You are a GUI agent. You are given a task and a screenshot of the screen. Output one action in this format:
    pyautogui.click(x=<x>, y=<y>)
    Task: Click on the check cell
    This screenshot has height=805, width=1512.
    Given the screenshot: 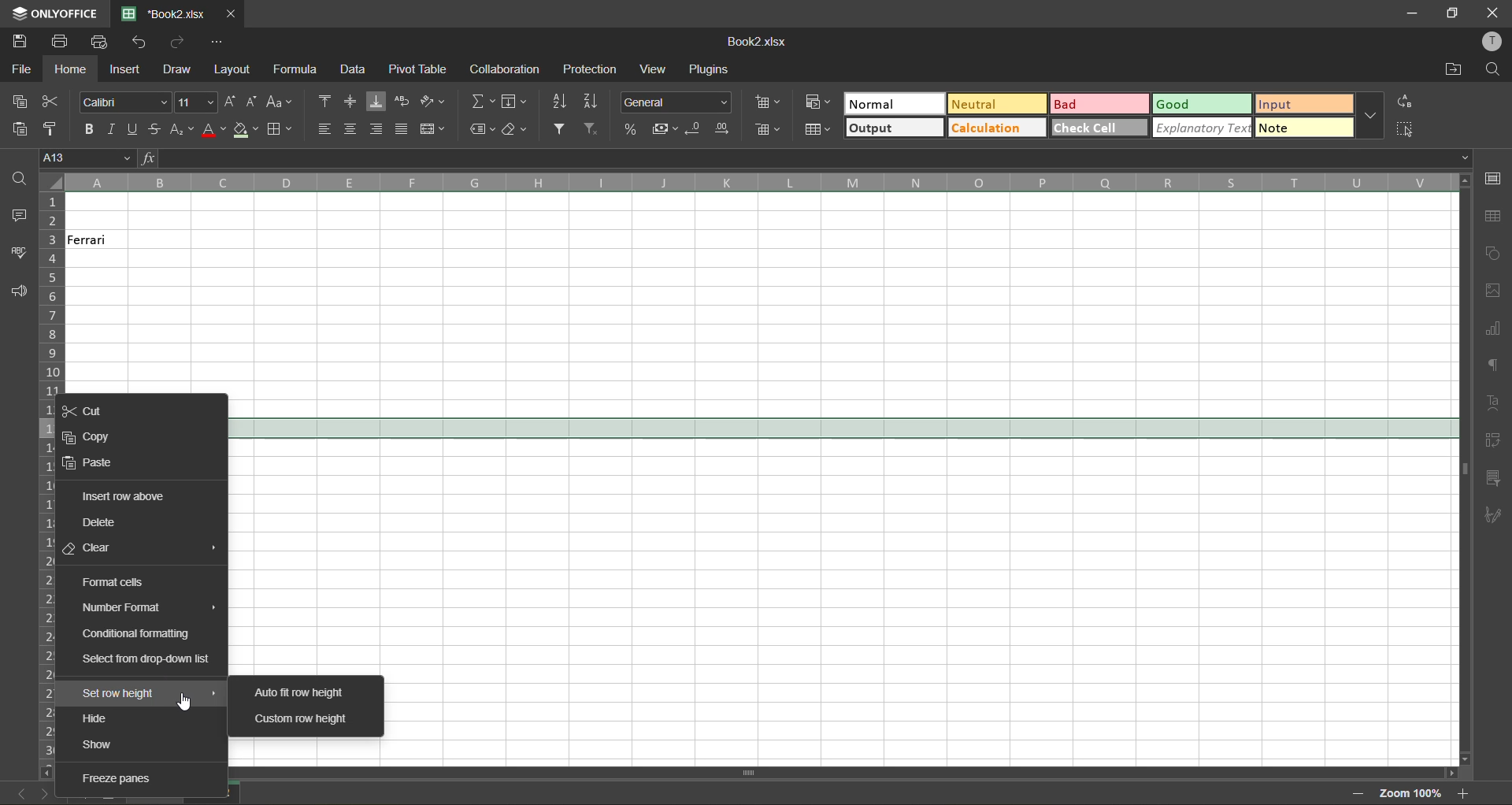 What is the action you would take?
    pyautogui.click(x=1098, y=129)
    